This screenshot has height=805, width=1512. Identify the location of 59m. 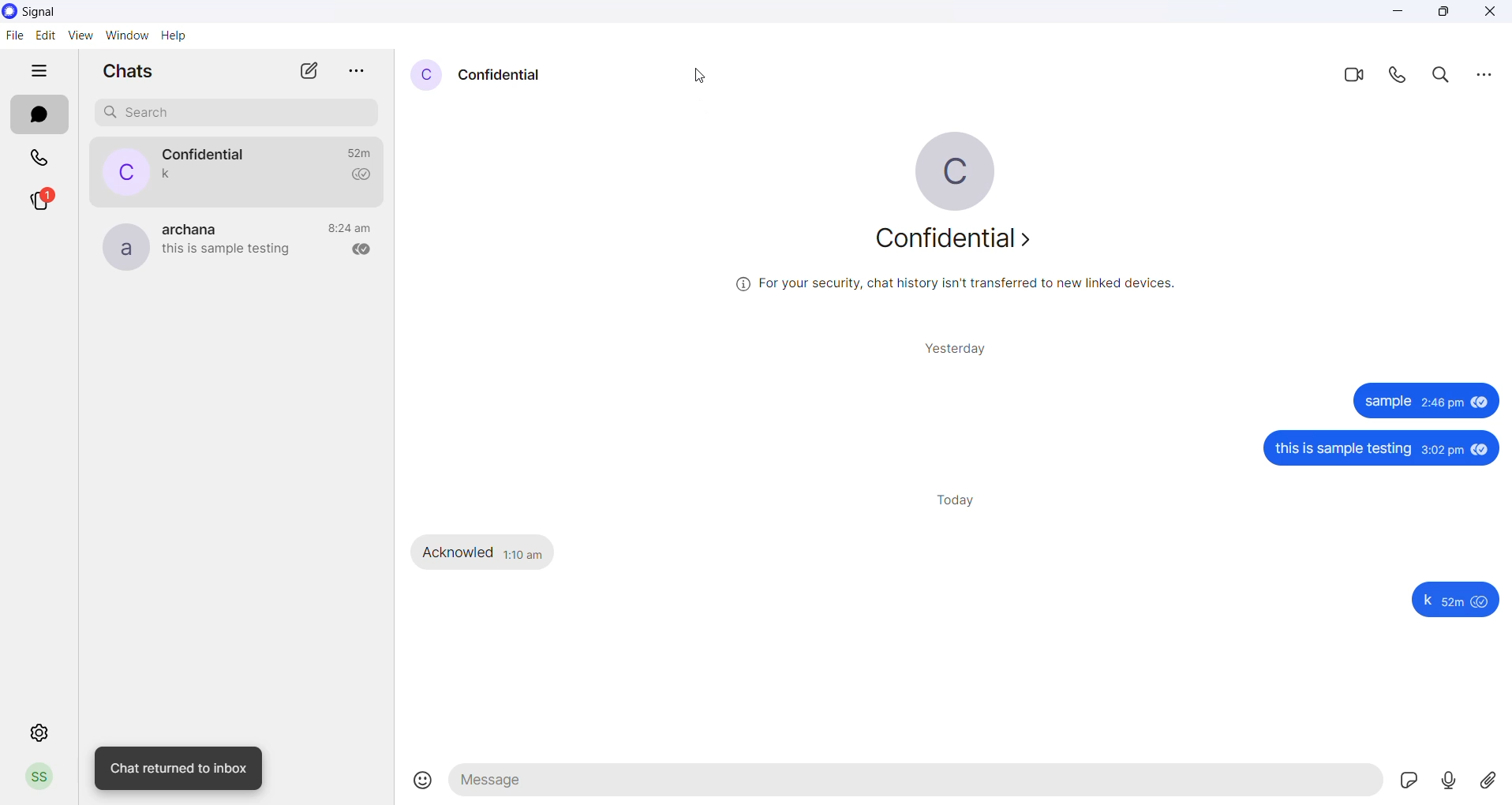
(1455, 605).